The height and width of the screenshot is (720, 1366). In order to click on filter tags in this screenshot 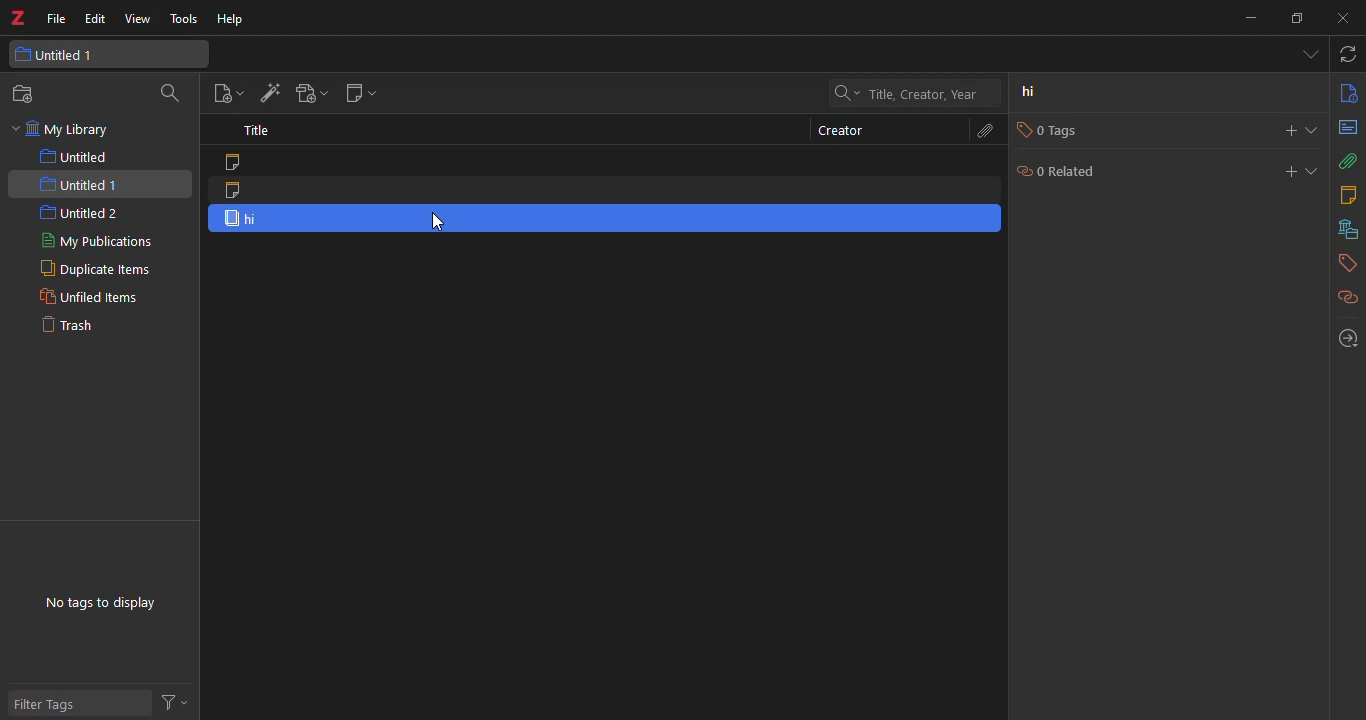, I will do `click(45, 705)`.